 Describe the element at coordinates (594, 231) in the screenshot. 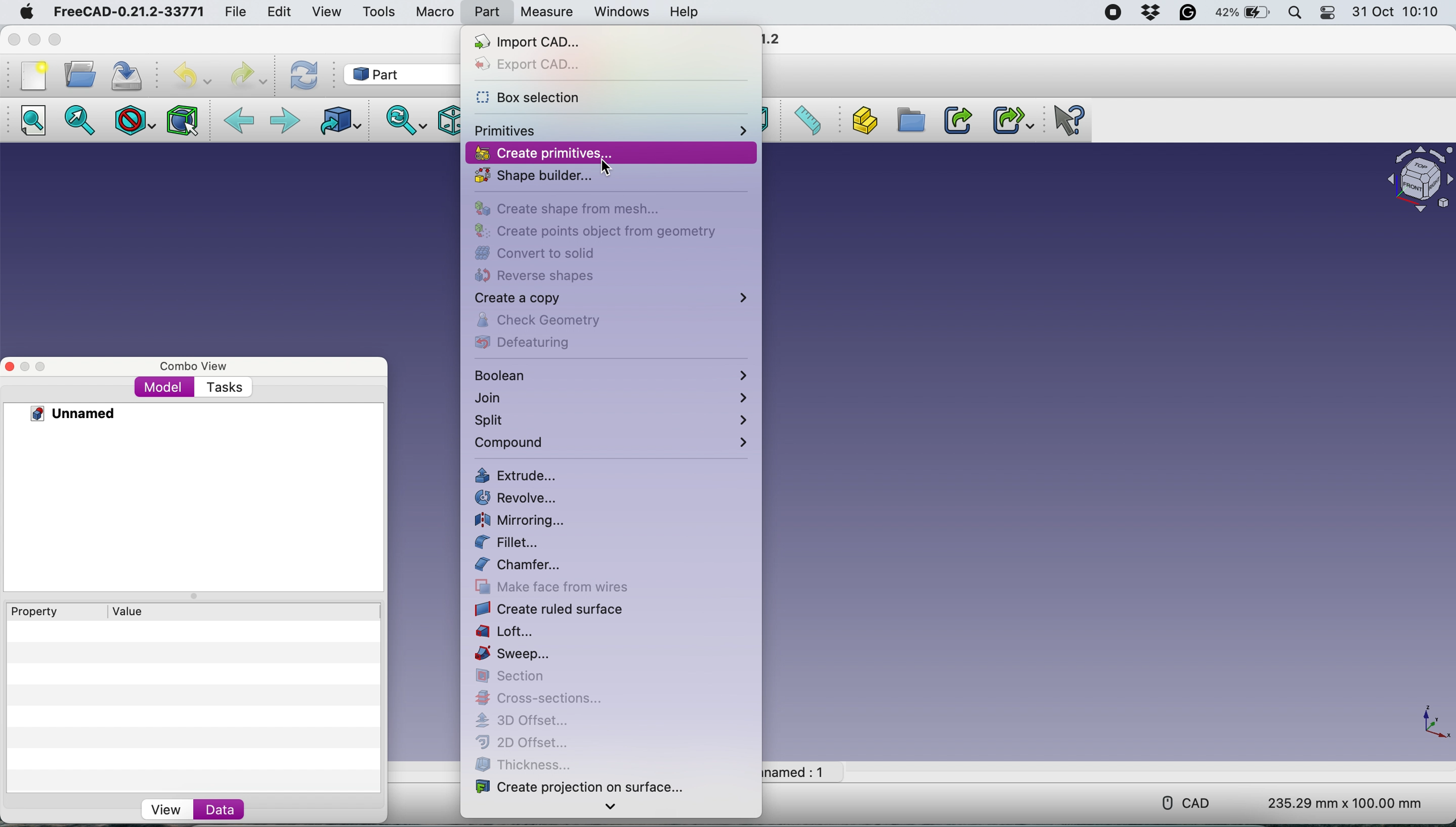

I see `create points object from geometry` at that location.